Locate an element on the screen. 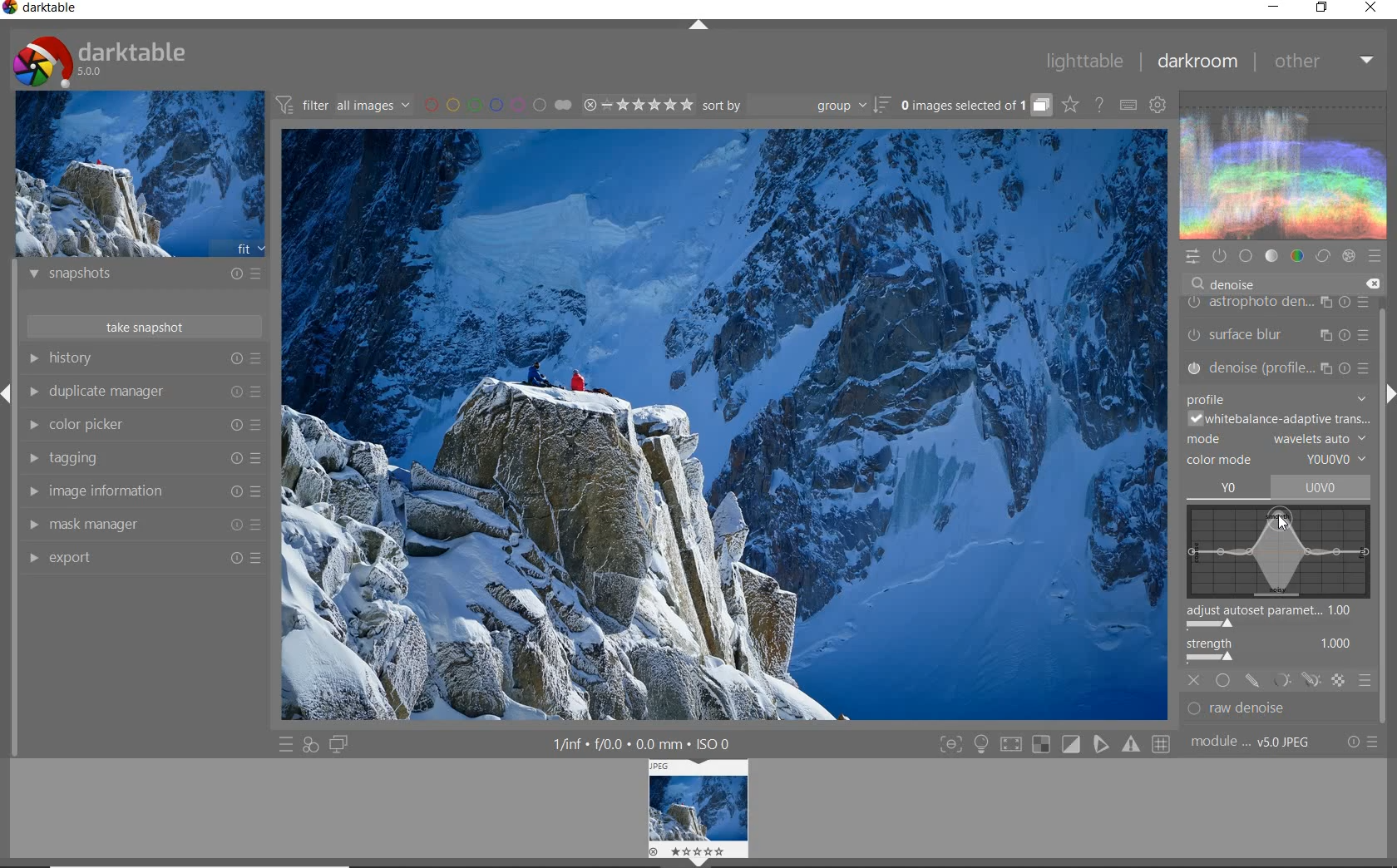 The height and width of the screenshot is (868, 1397). show only active modules is located at coordinates (1218, 256).